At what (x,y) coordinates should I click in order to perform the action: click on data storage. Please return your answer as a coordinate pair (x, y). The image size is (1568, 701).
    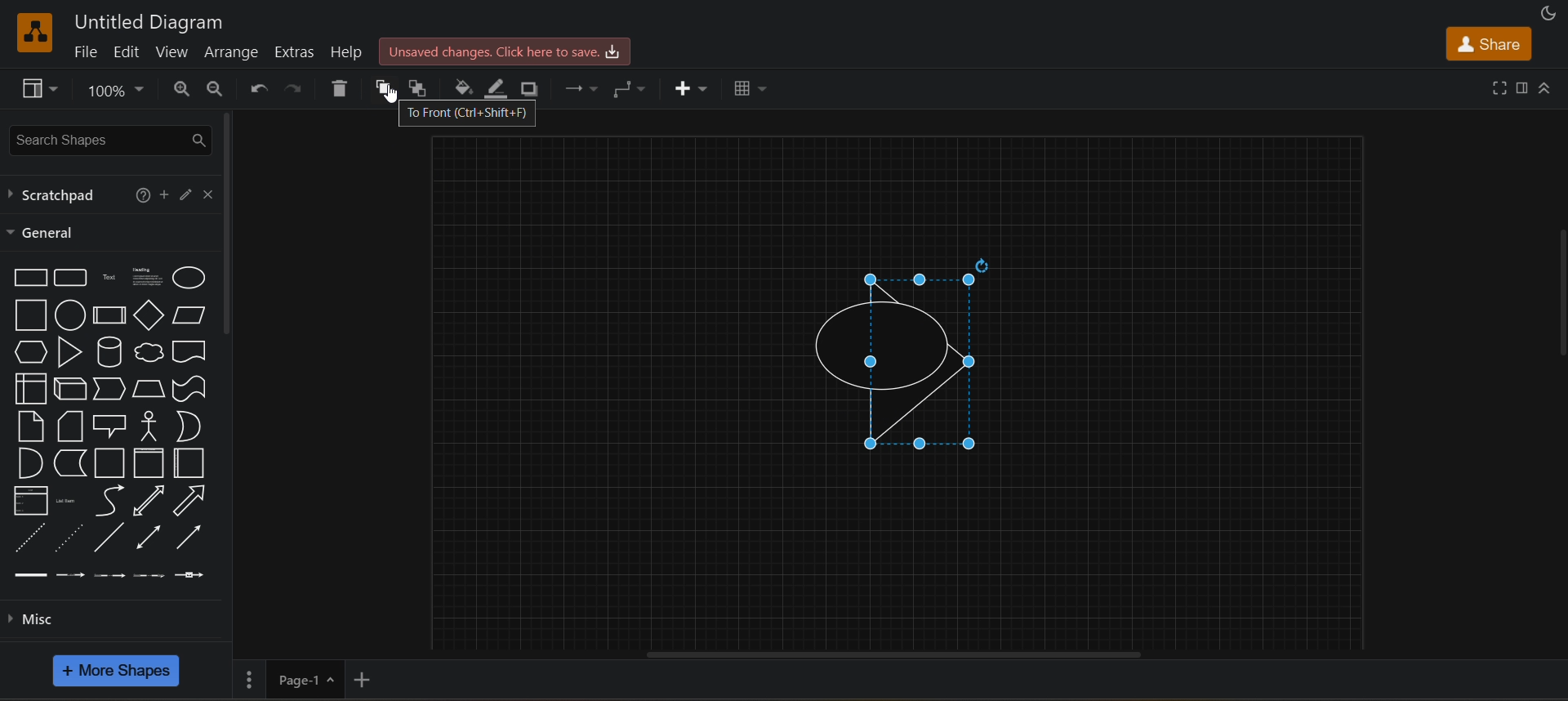
    Looking at the image, I should click on (69, 462).